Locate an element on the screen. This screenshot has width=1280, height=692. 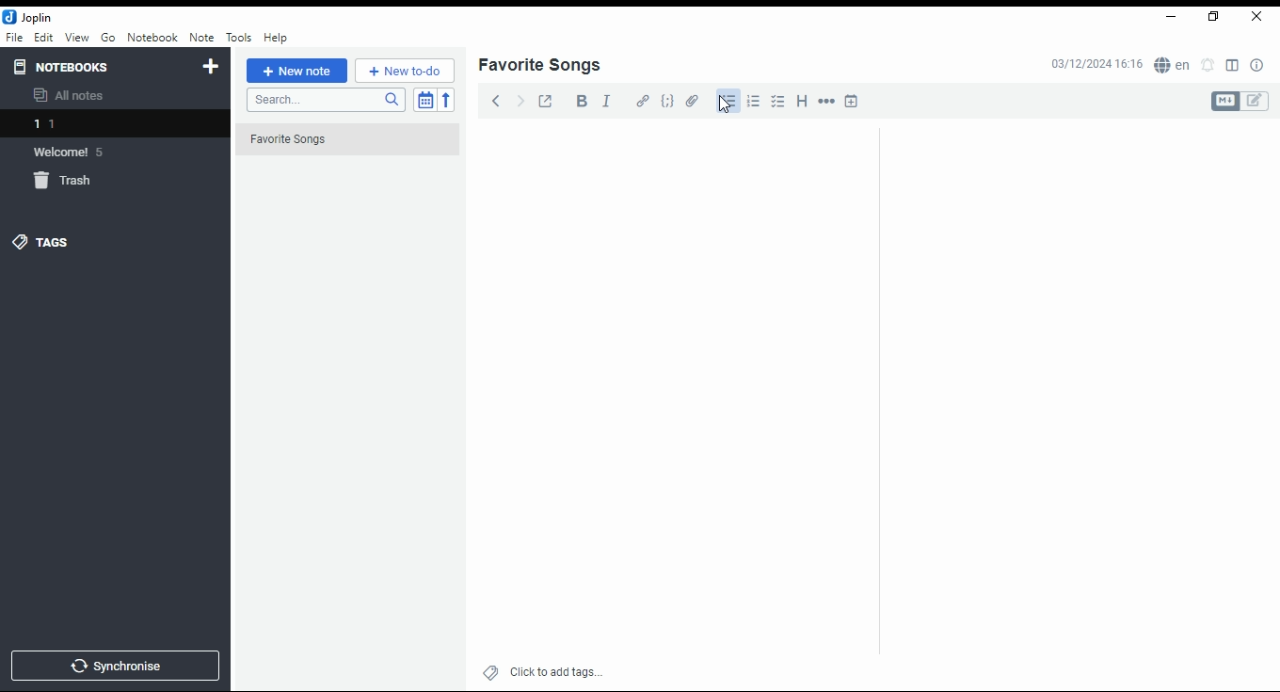
bold is located at coordinates (581, 101).